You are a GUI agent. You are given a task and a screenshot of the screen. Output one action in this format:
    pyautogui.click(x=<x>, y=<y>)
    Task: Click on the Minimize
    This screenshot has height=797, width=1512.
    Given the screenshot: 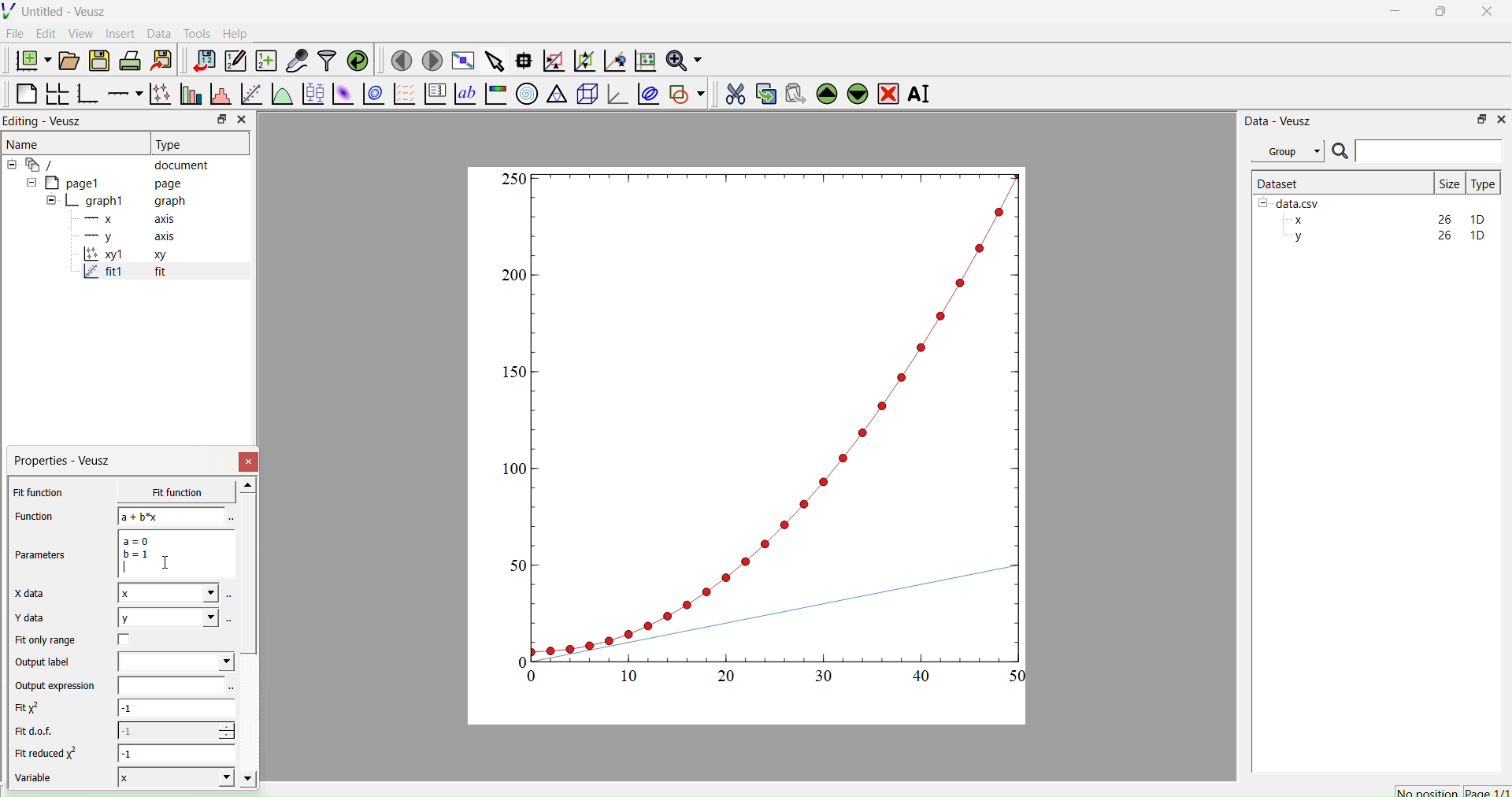 What is the action you would take?
    pyautogui.click(x=1395, y=15)
    